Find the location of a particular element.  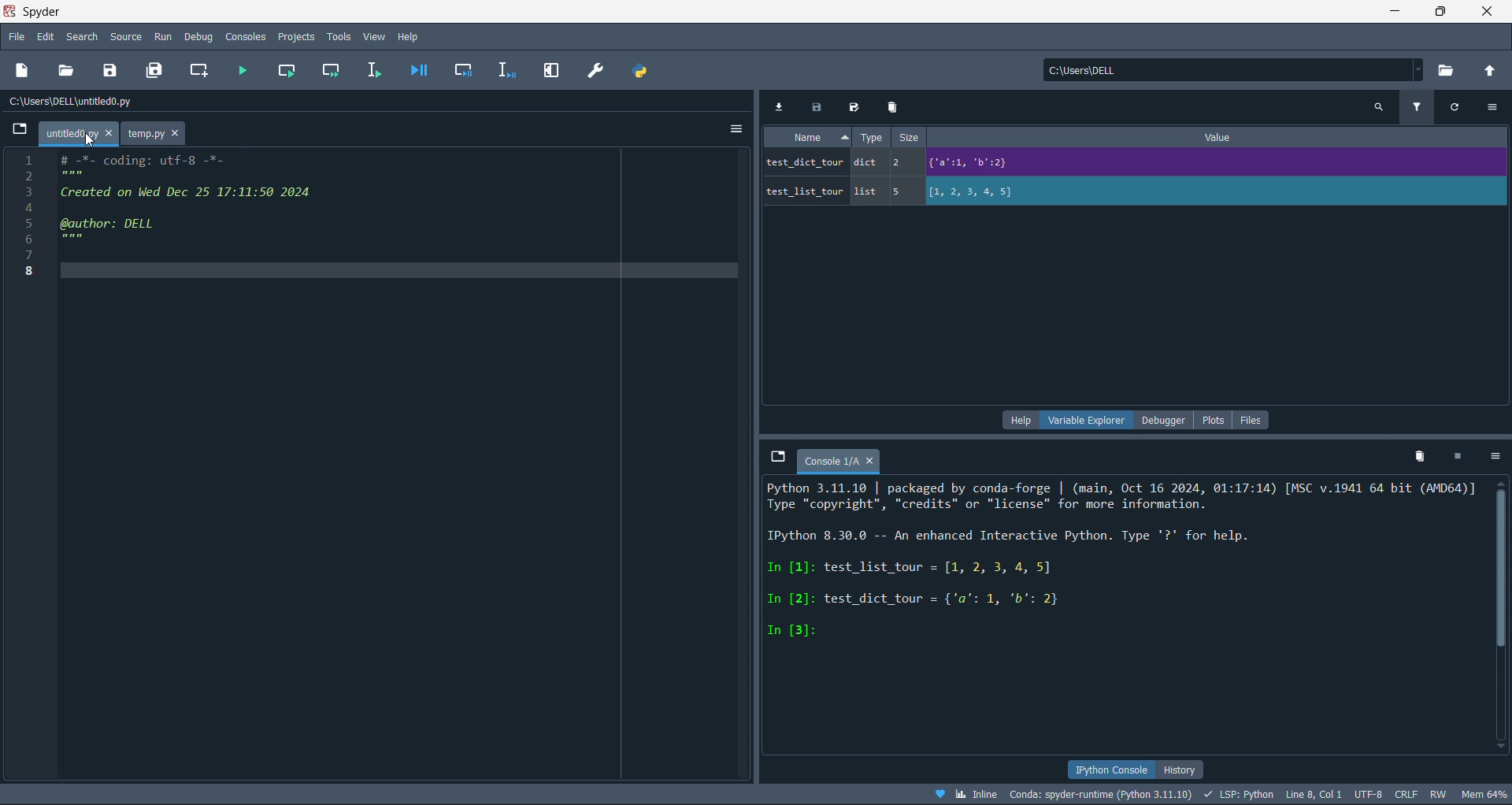

UTF-8 CRLF is located at coordinates (1388, 796).